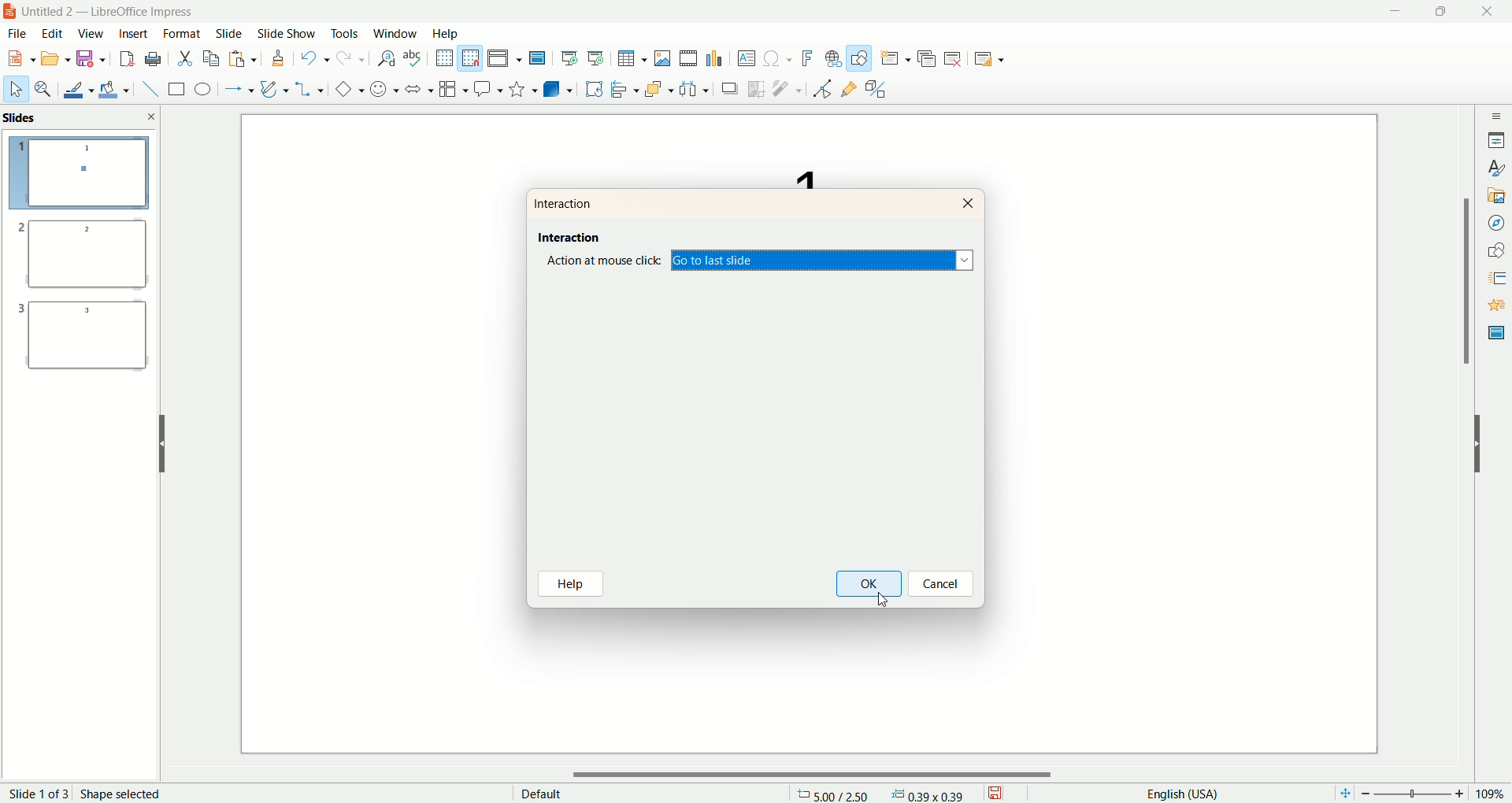 This screenshot has width=1512, height=803. What do you see at coordinates (16, 92) in the screenshot?
I see `select` at bounding box center [16, 92].